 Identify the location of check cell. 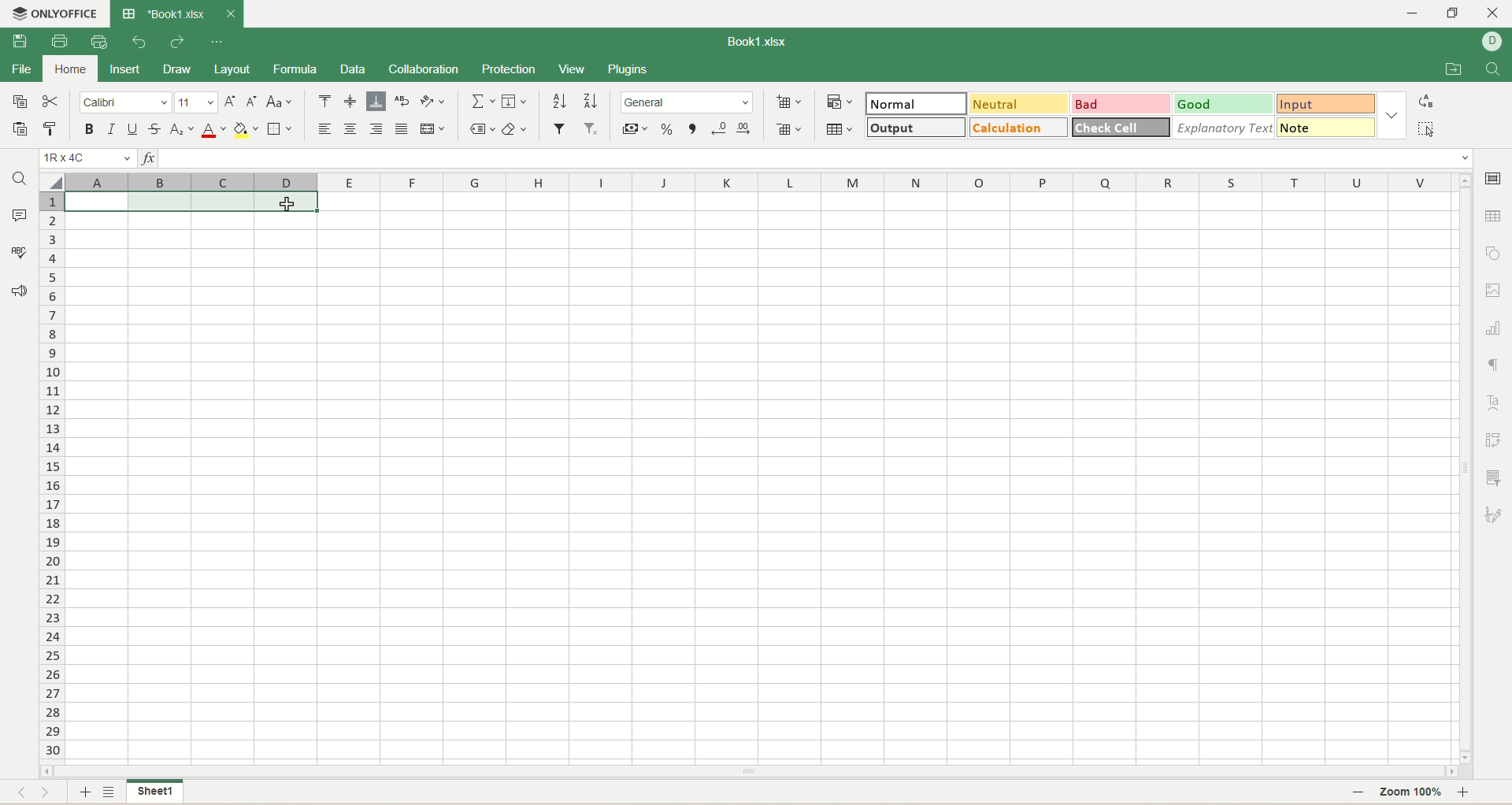
(1122, 128).